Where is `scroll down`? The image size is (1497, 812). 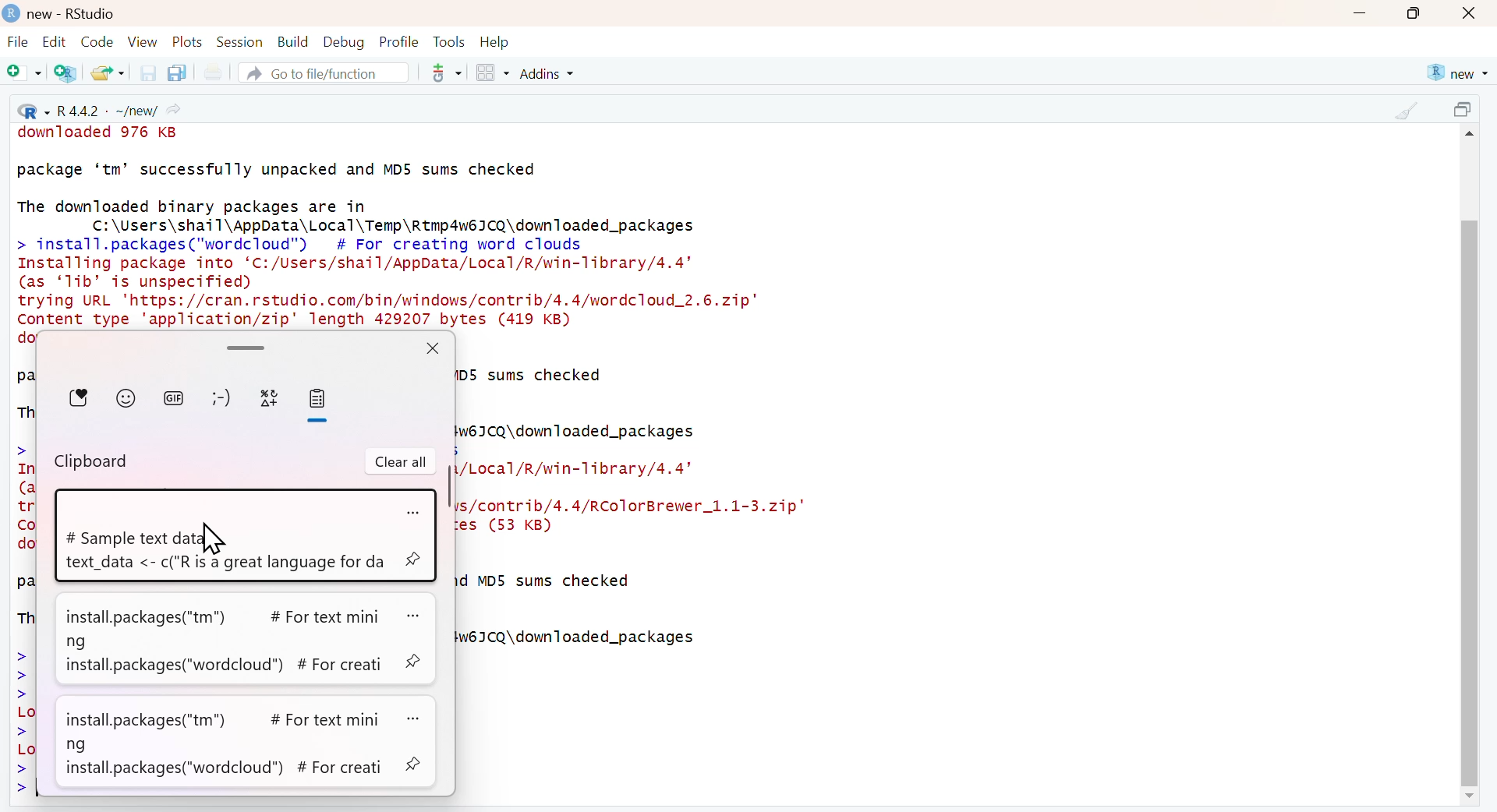 scroll down is located at coordinates (1464, 796).